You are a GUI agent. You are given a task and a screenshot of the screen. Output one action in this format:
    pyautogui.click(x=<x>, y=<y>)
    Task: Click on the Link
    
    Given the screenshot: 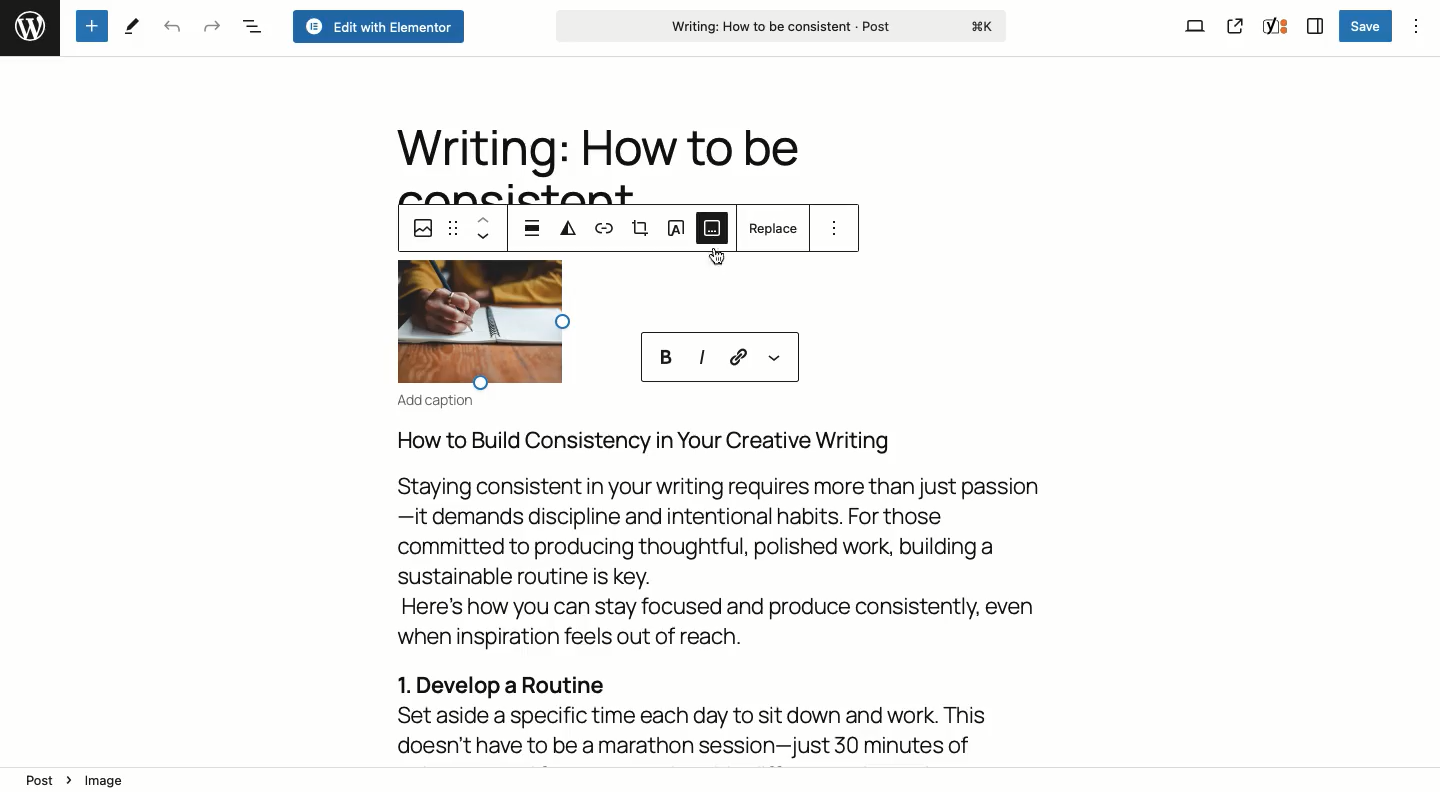 What is the action you would take?
    pyautogui.click(x=608, y=232)
    